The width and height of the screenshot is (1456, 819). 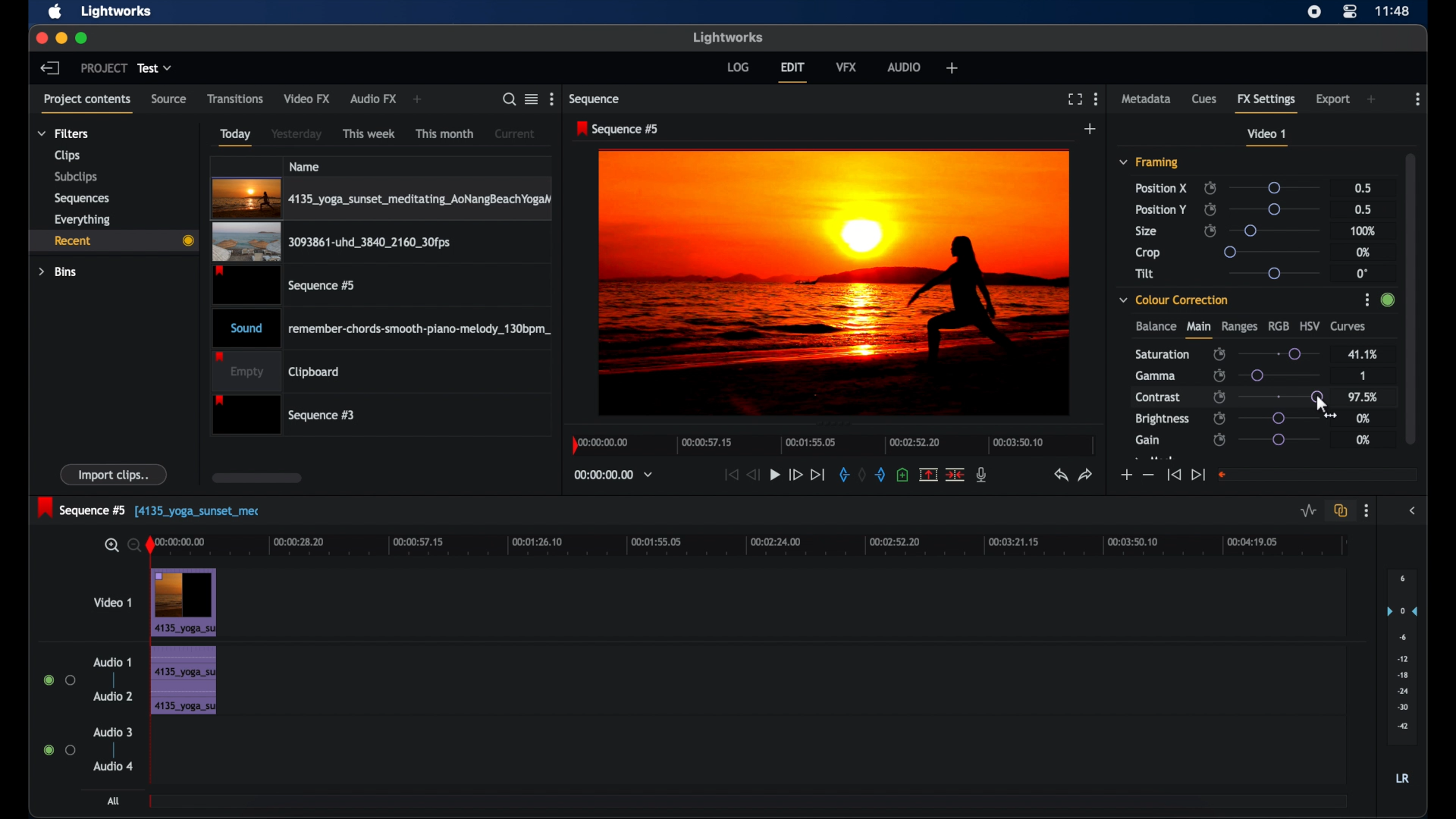 I want to click on enable/disable keyframes, so click(x=1219, y=440).